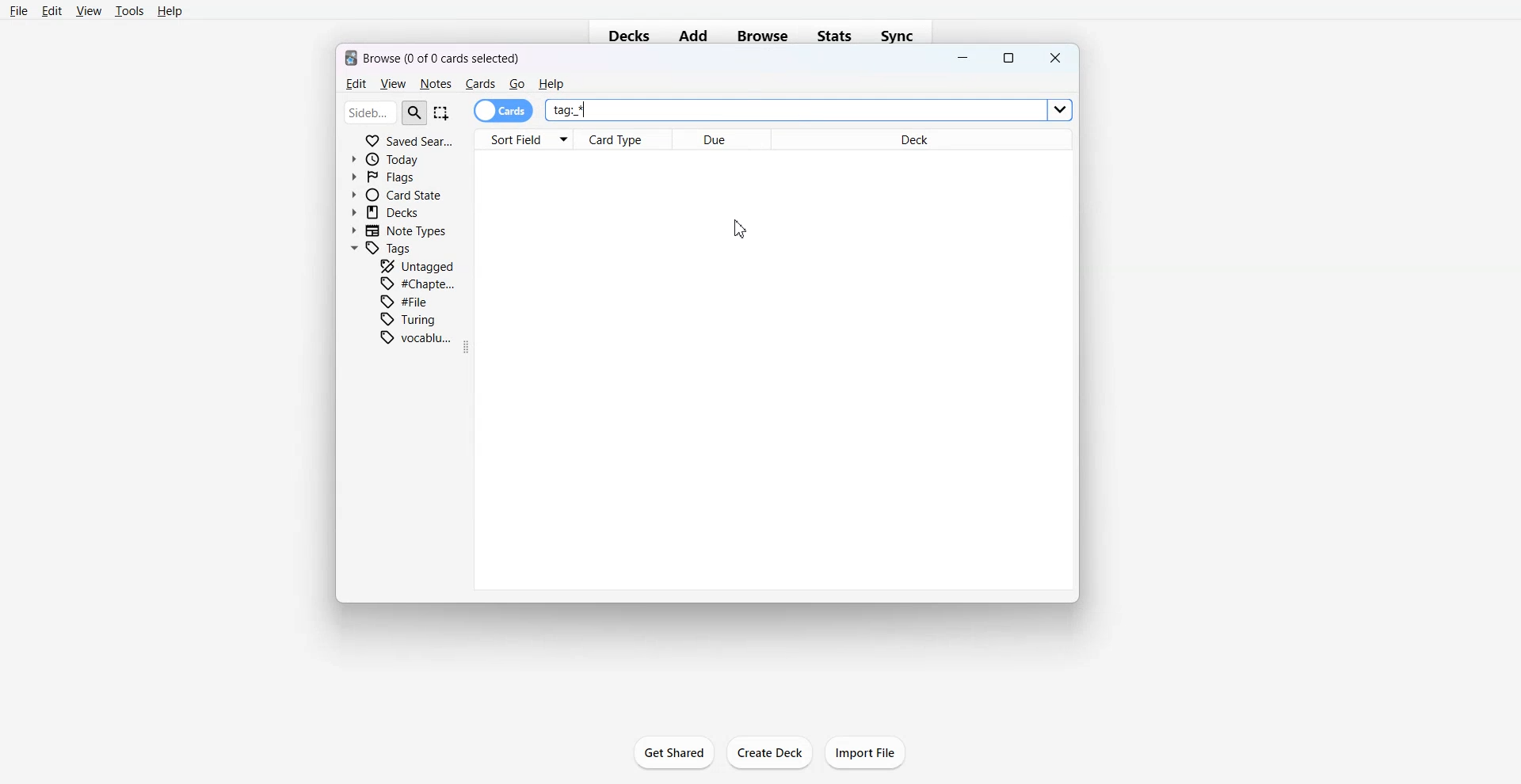  I want to click on He, so click(551, 84).